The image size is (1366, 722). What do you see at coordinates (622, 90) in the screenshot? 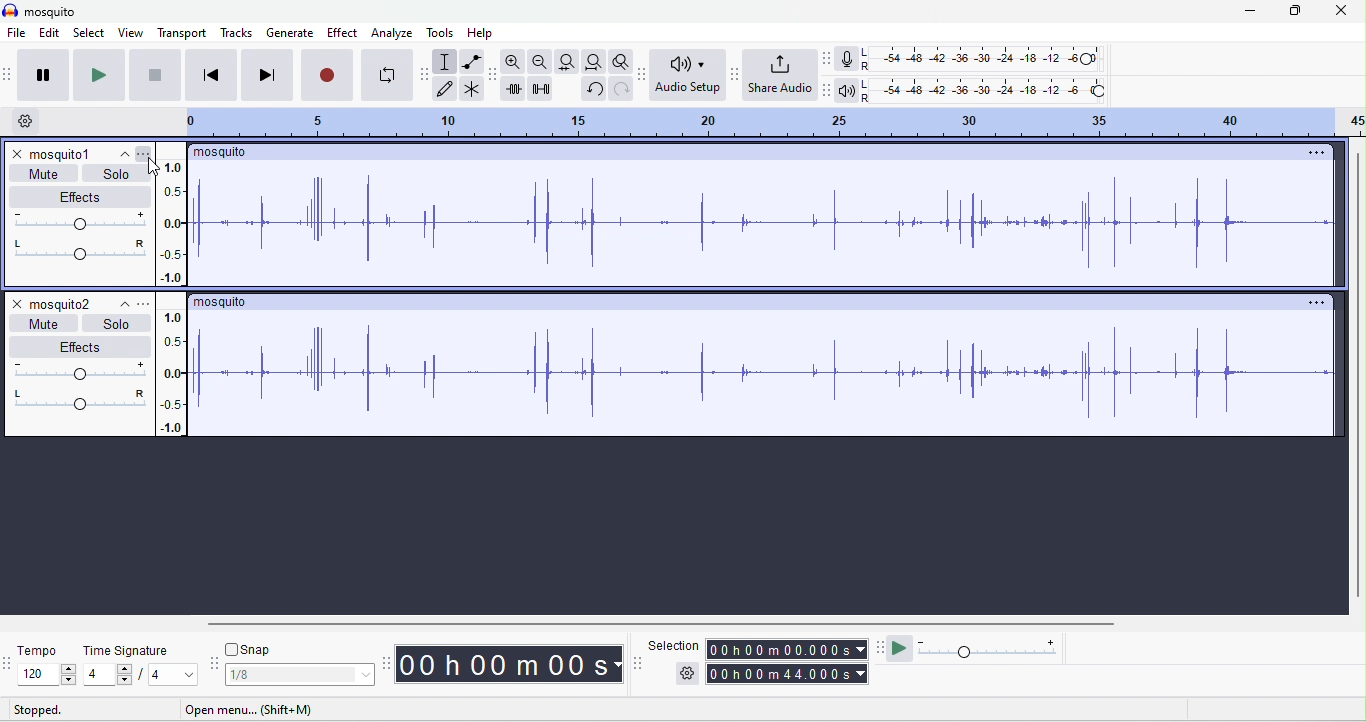
I see `redo` at bounding box center [622, 90].